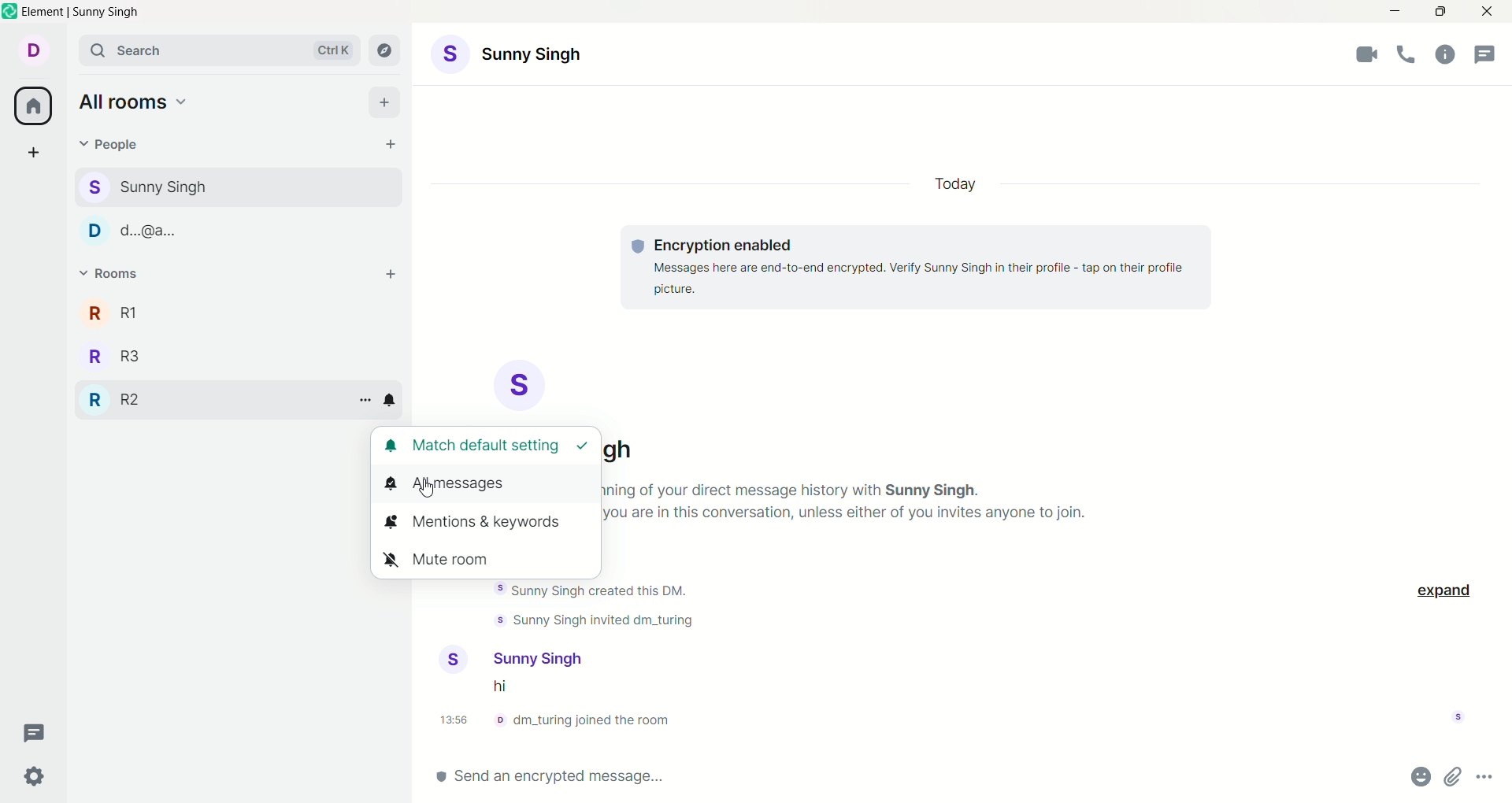  Describe the element at coordinates (387, 142) in the screenshot. I see `start chat` at that location.